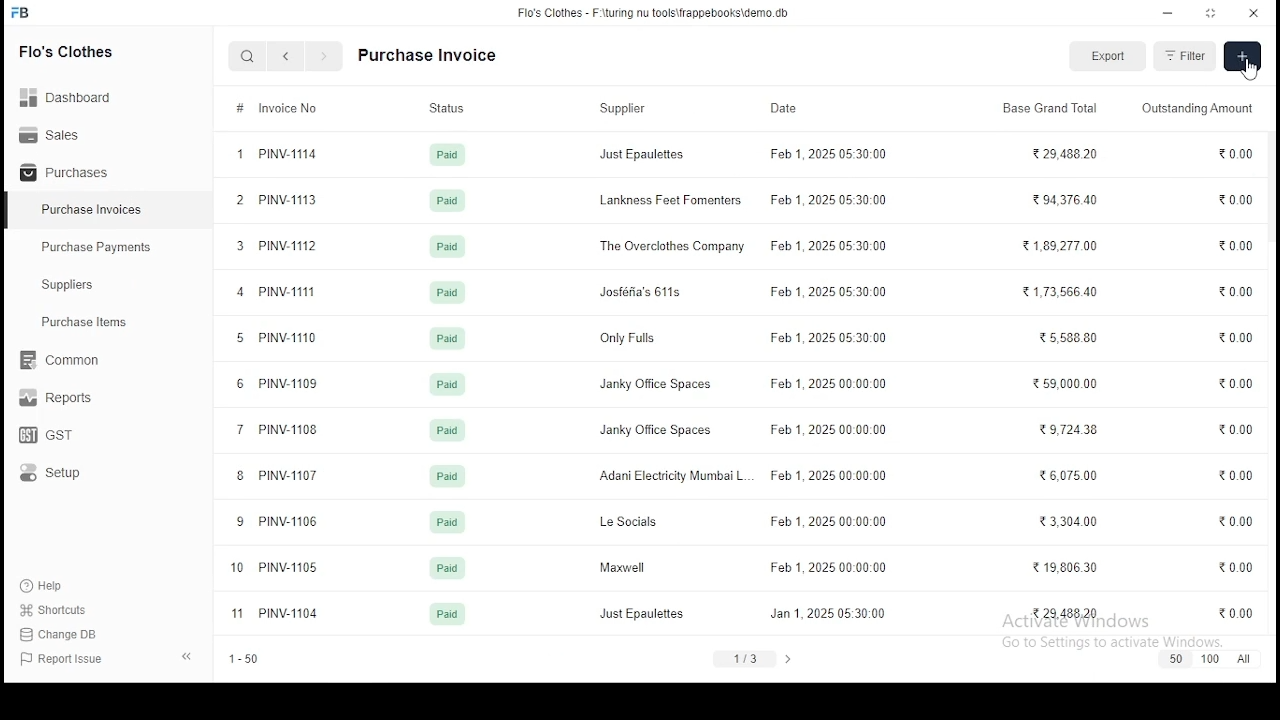  Describe the element at coordinates (831, 291) in the screenshot. I see `feb 1, 2025 05:30:00` at that location.